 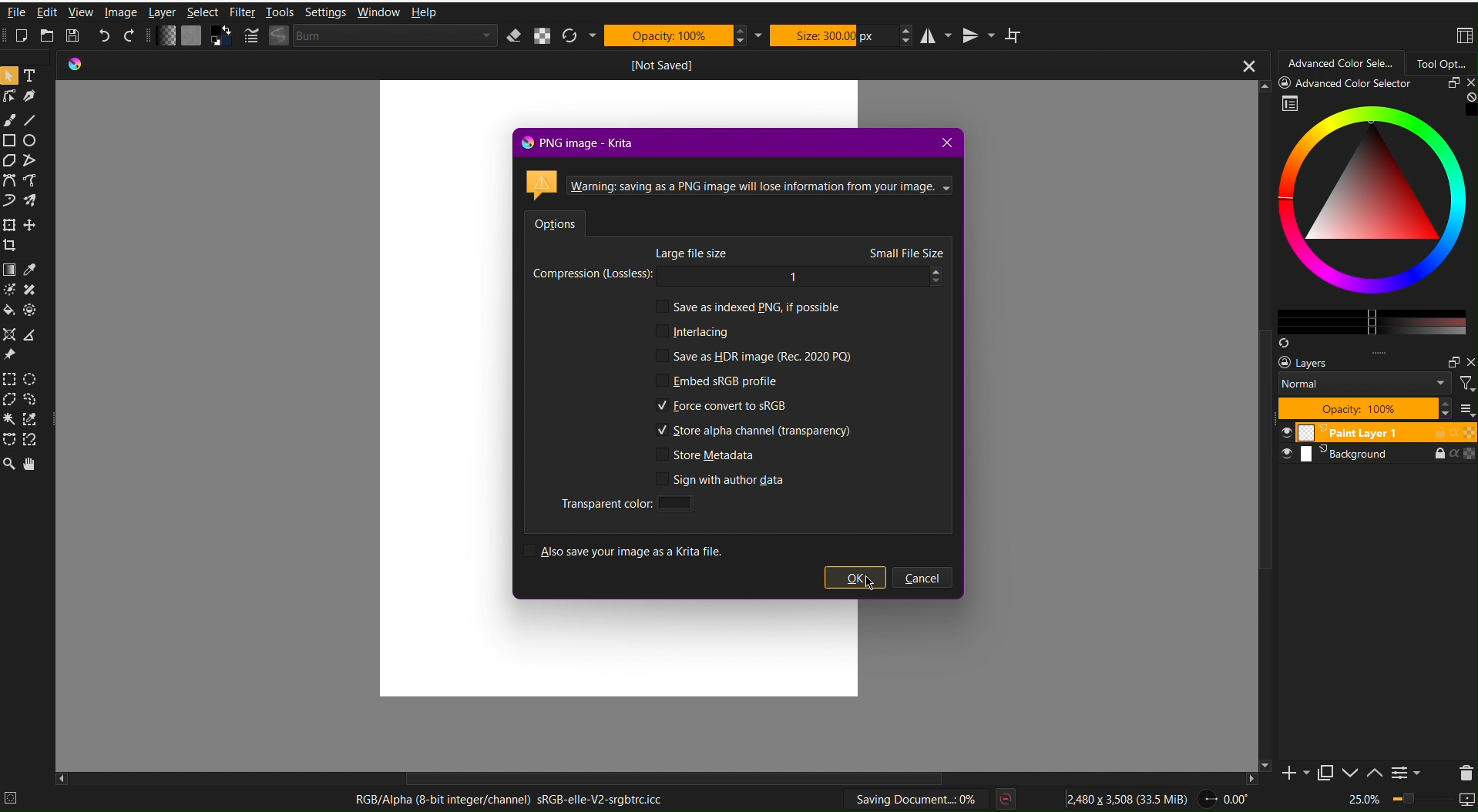 I want to click on Compression (Lossless, so click(x=742, y=267).